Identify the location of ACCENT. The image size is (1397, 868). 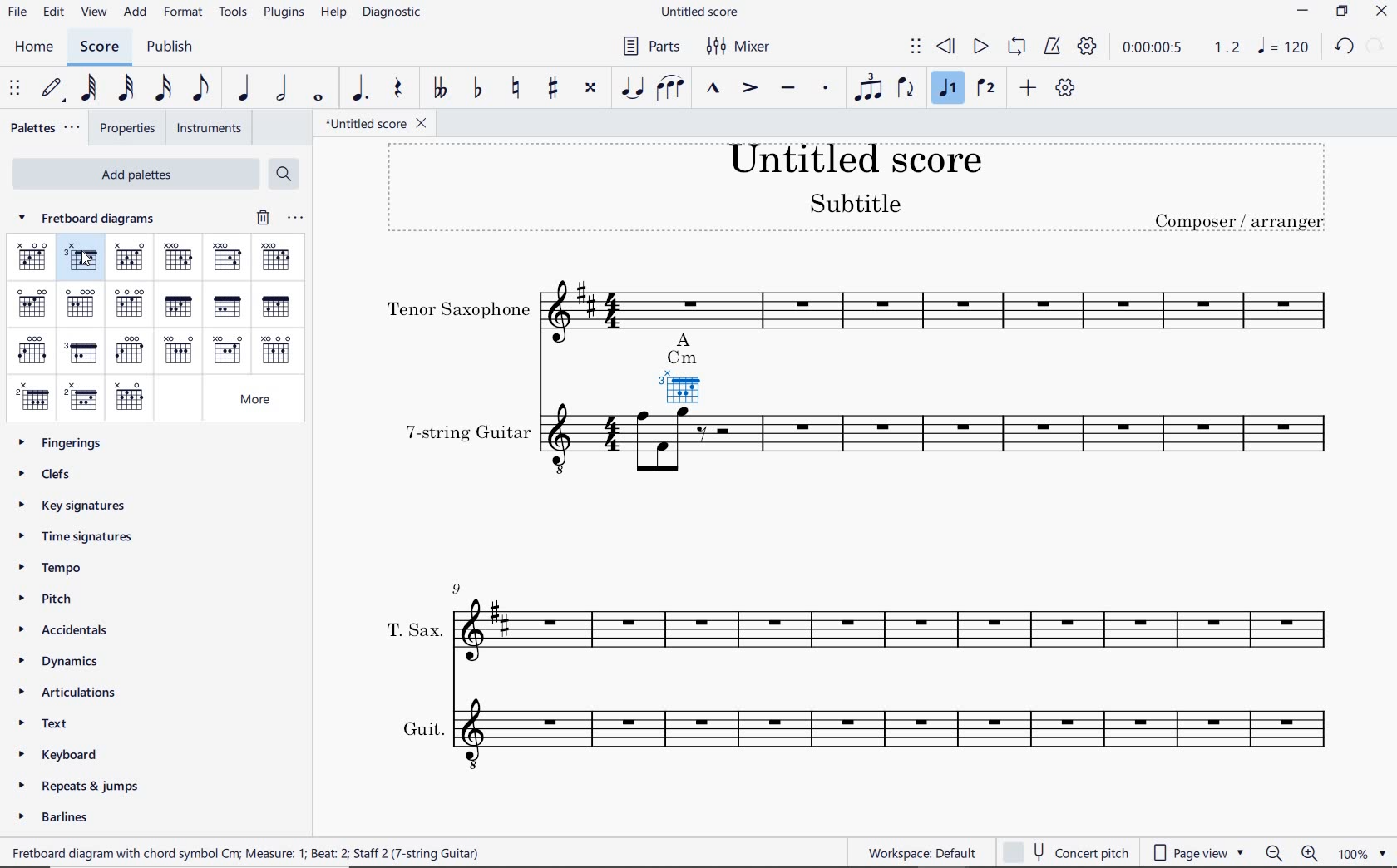
(751, 88).